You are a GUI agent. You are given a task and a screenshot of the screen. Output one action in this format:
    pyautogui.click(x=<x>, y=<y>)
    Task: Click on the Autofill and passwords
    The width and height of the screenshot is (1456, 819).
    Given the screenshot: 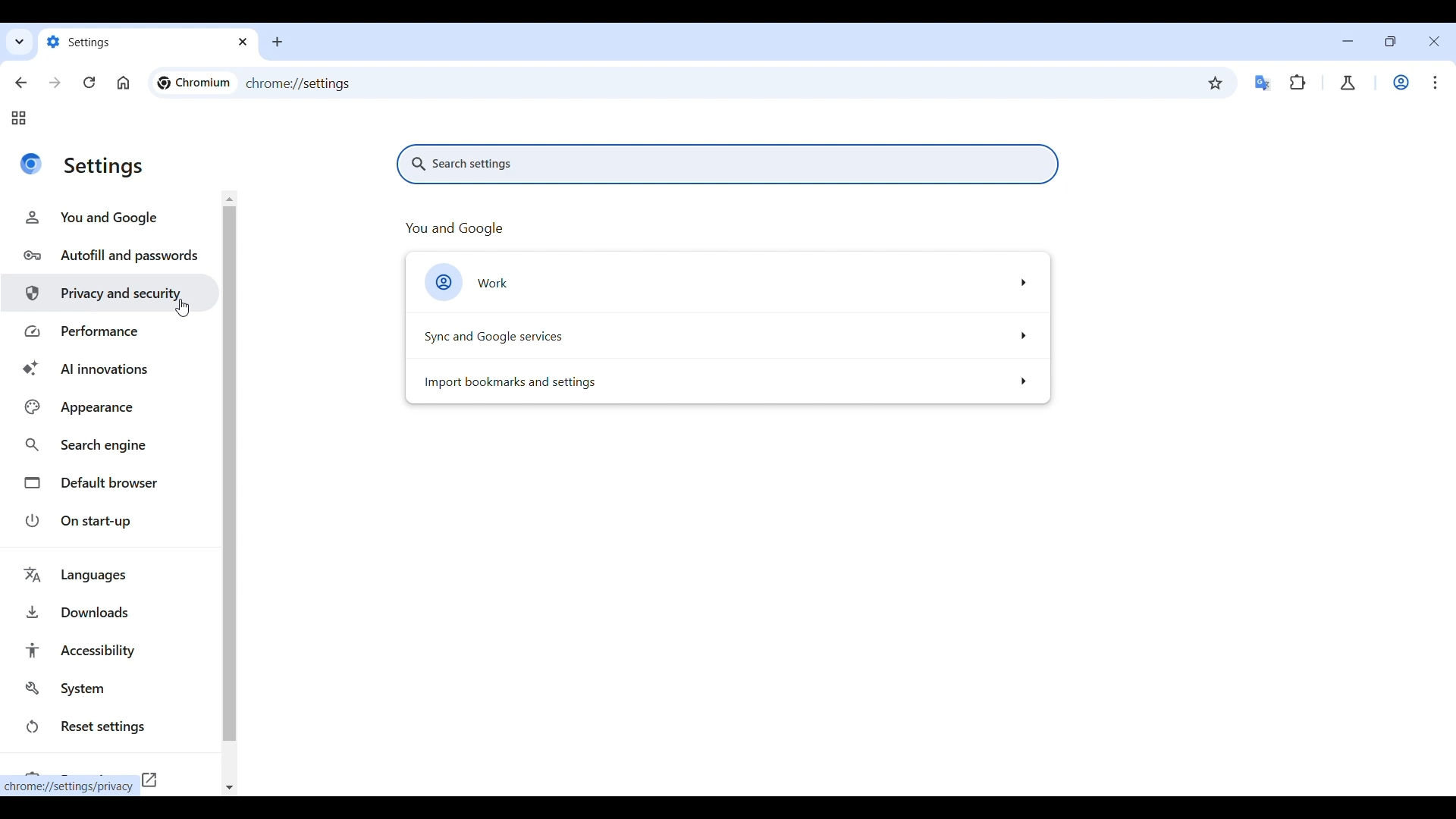 What is the action you would take?
    pyautogui.click(x=111, y=255)
    